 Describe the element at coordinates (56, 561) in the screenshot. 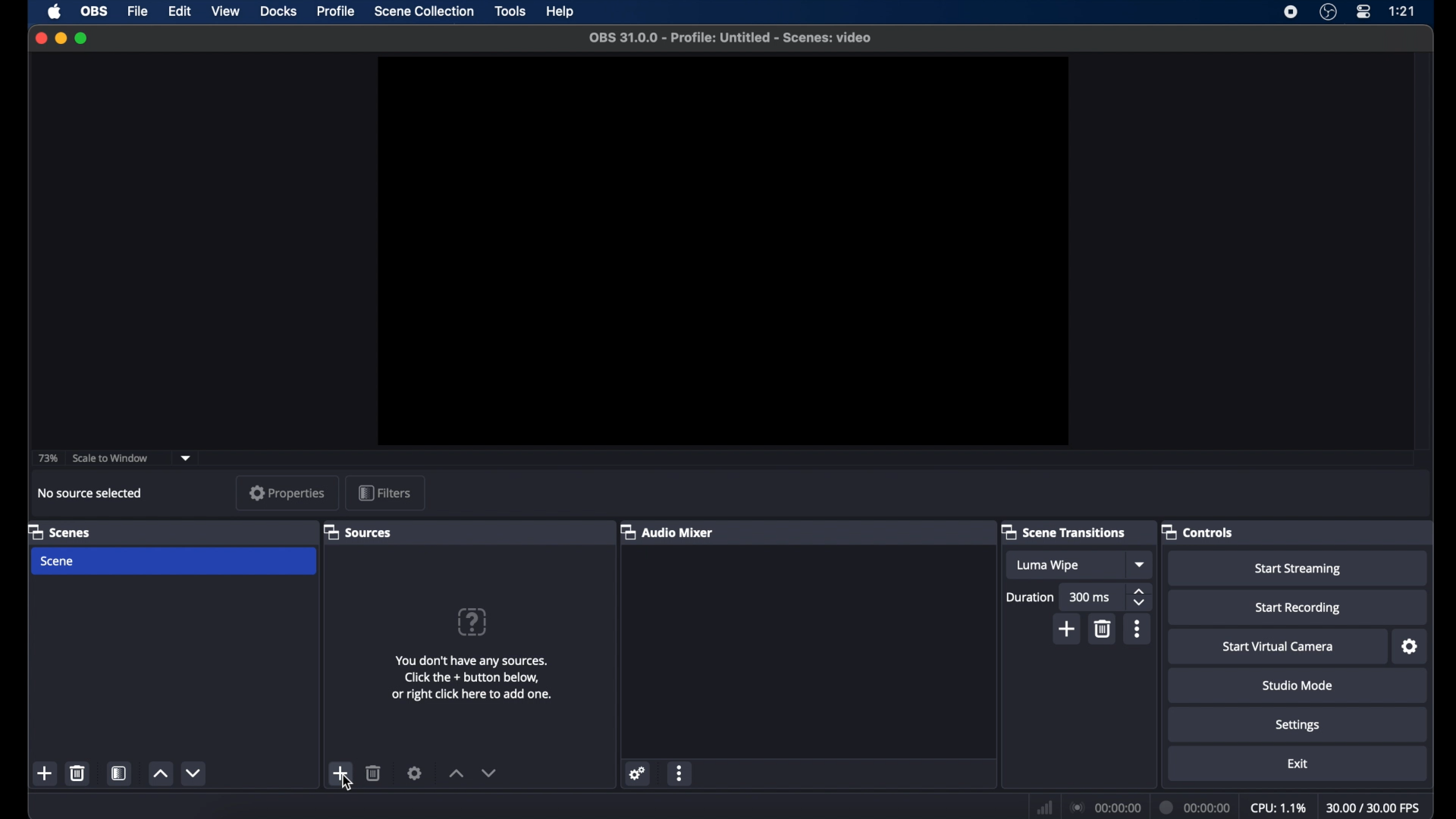

I see `scene` at that location.